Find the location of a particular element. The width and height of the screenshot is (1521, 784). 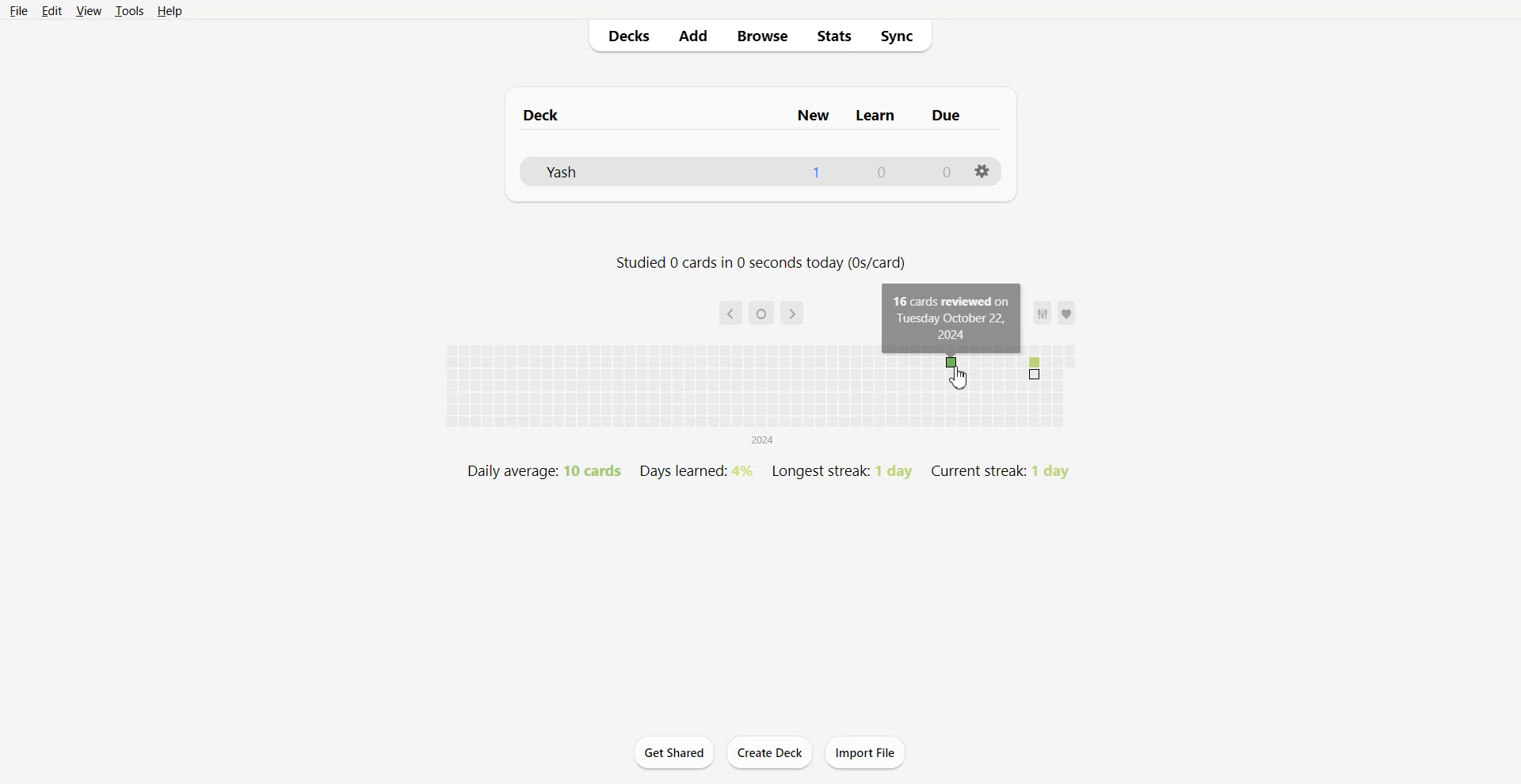

current is located at coordinates (762, 314).